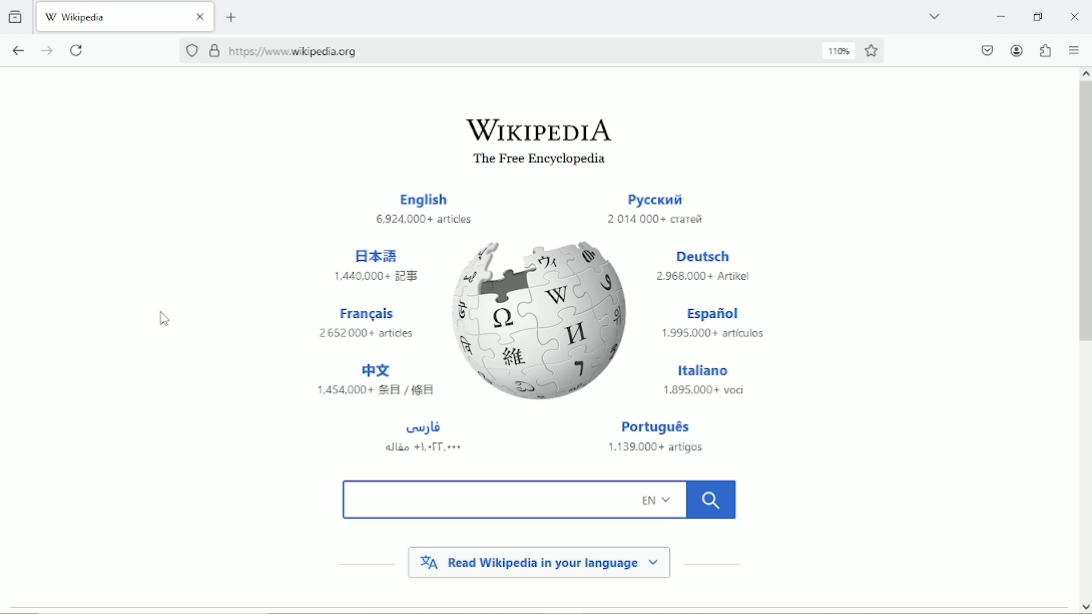 This screenshot has height=614, width=1092. I want to click on verified by DigiCert Inc, so click(214, 50).